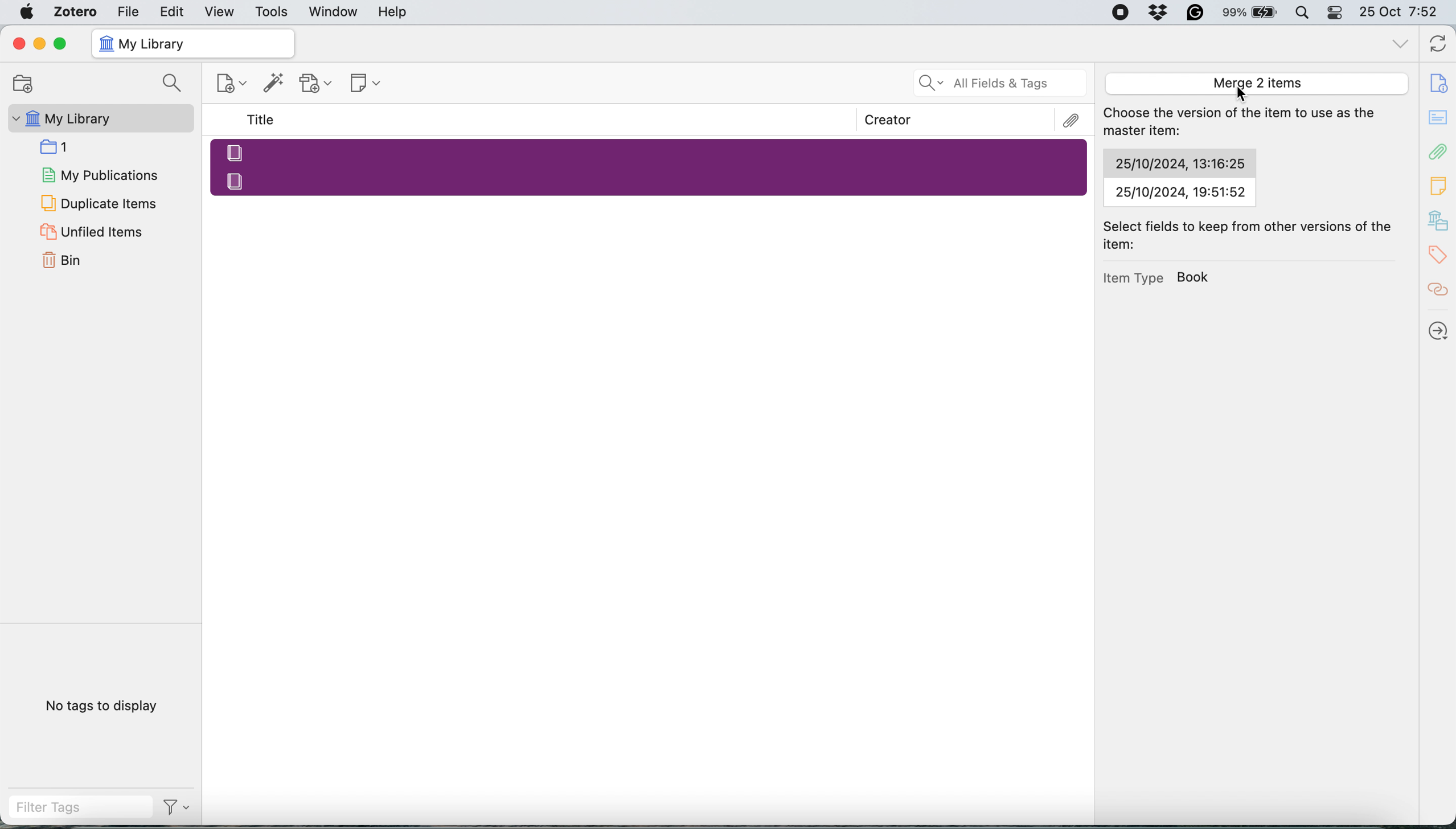 This screenshot has height=829, width=1456. I want to click on View, so click(221, 12).